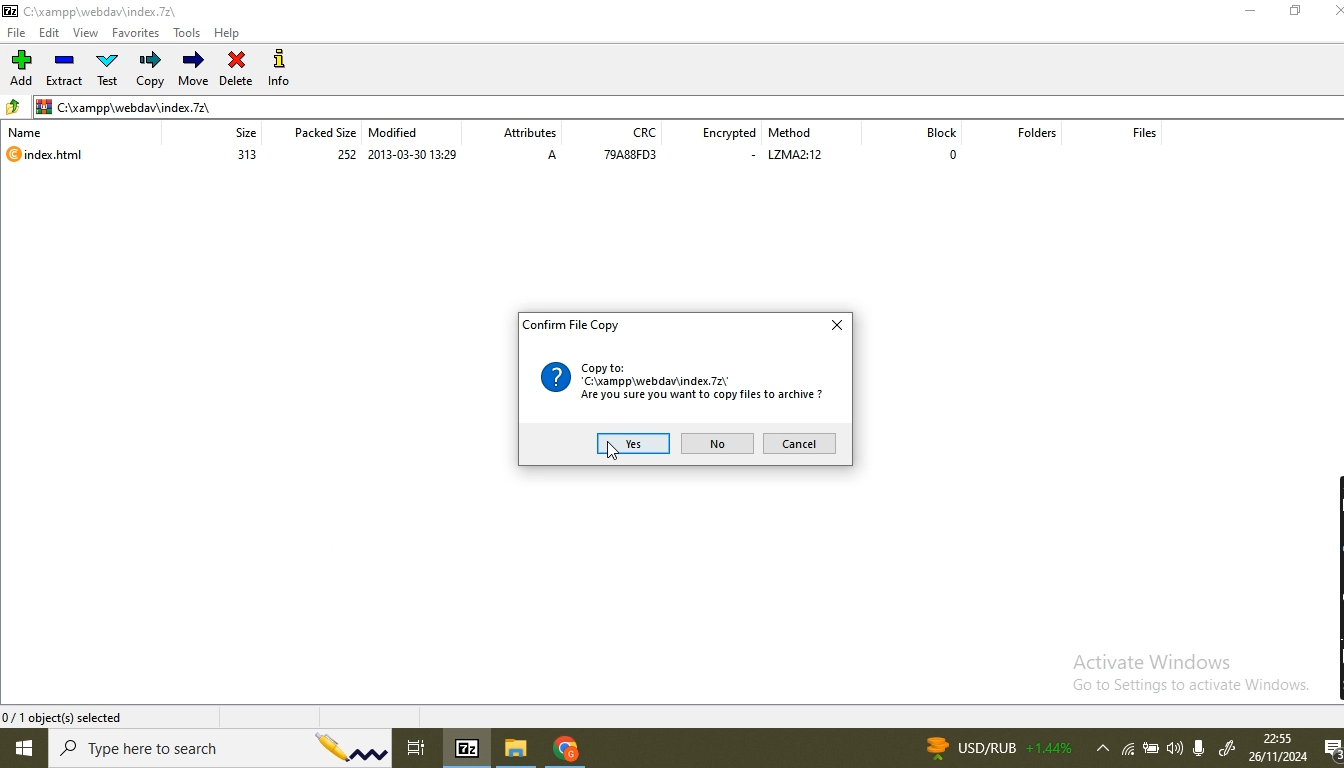  Describe the element at coordinates (27, 132) in the screenshot. I see `name` at that location.